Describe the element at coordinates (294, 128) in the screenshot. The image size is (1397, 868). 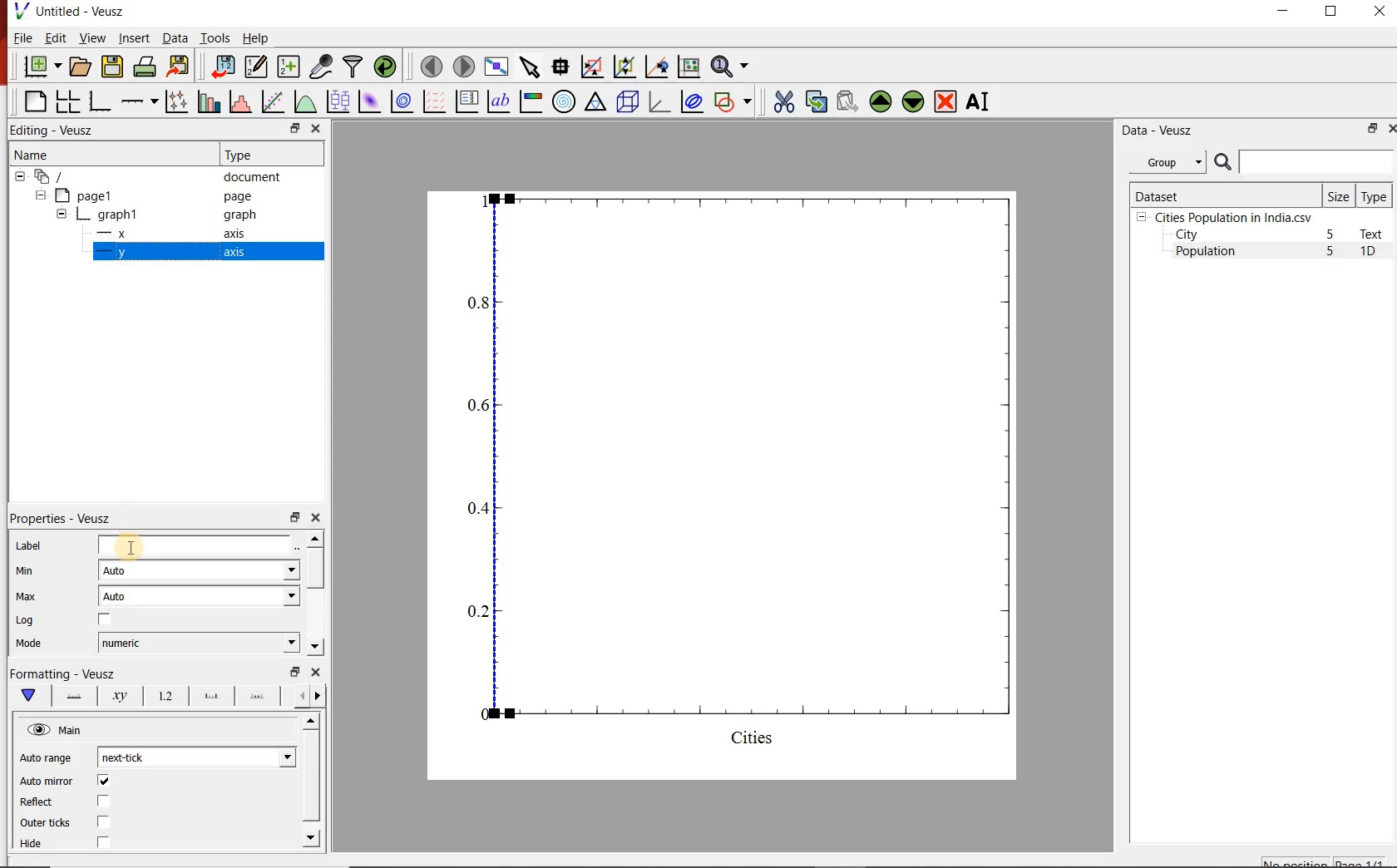
I see `restore` at that location.